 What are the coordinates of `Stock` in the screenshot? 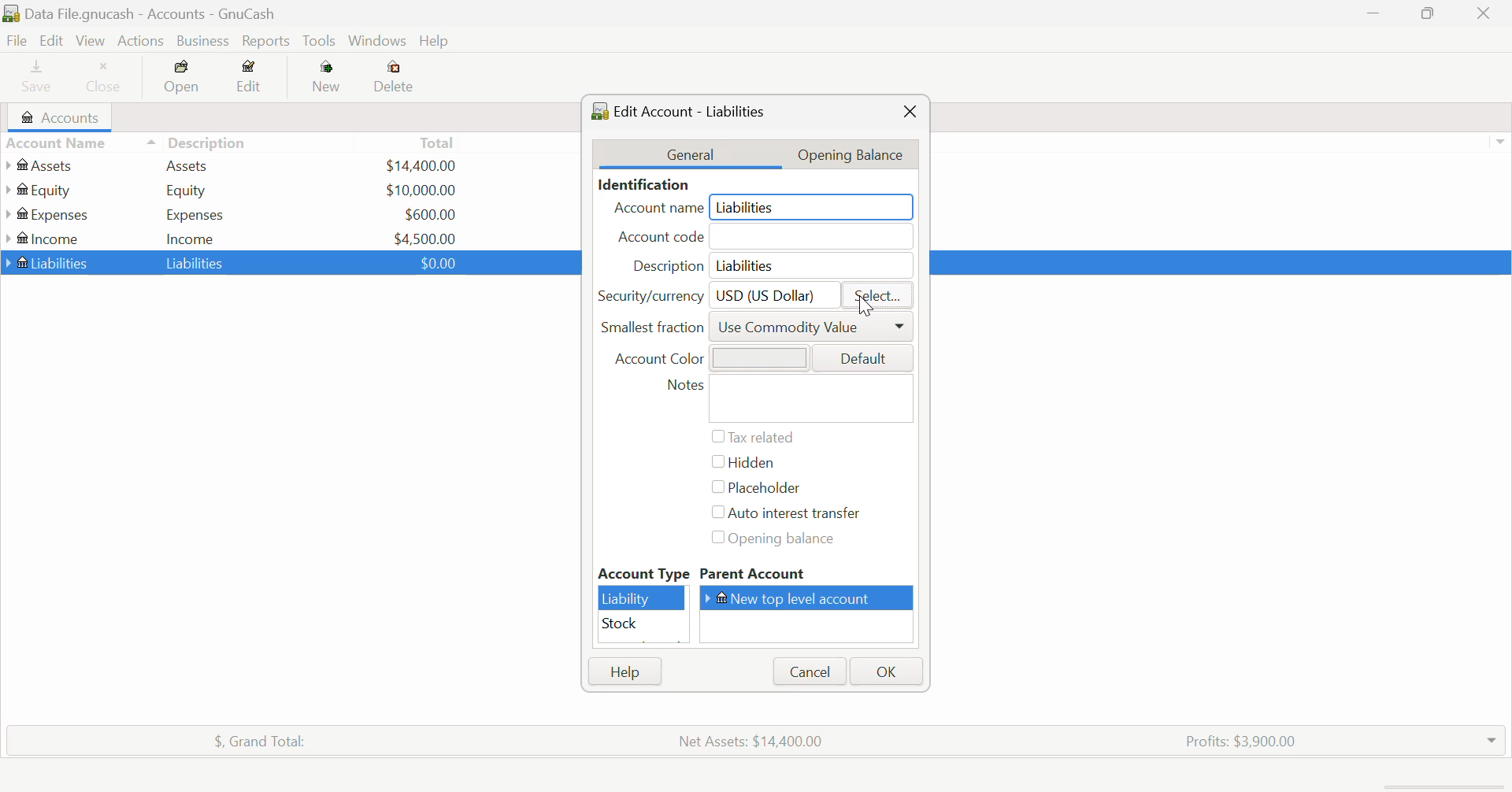 It's located at (643, 624).